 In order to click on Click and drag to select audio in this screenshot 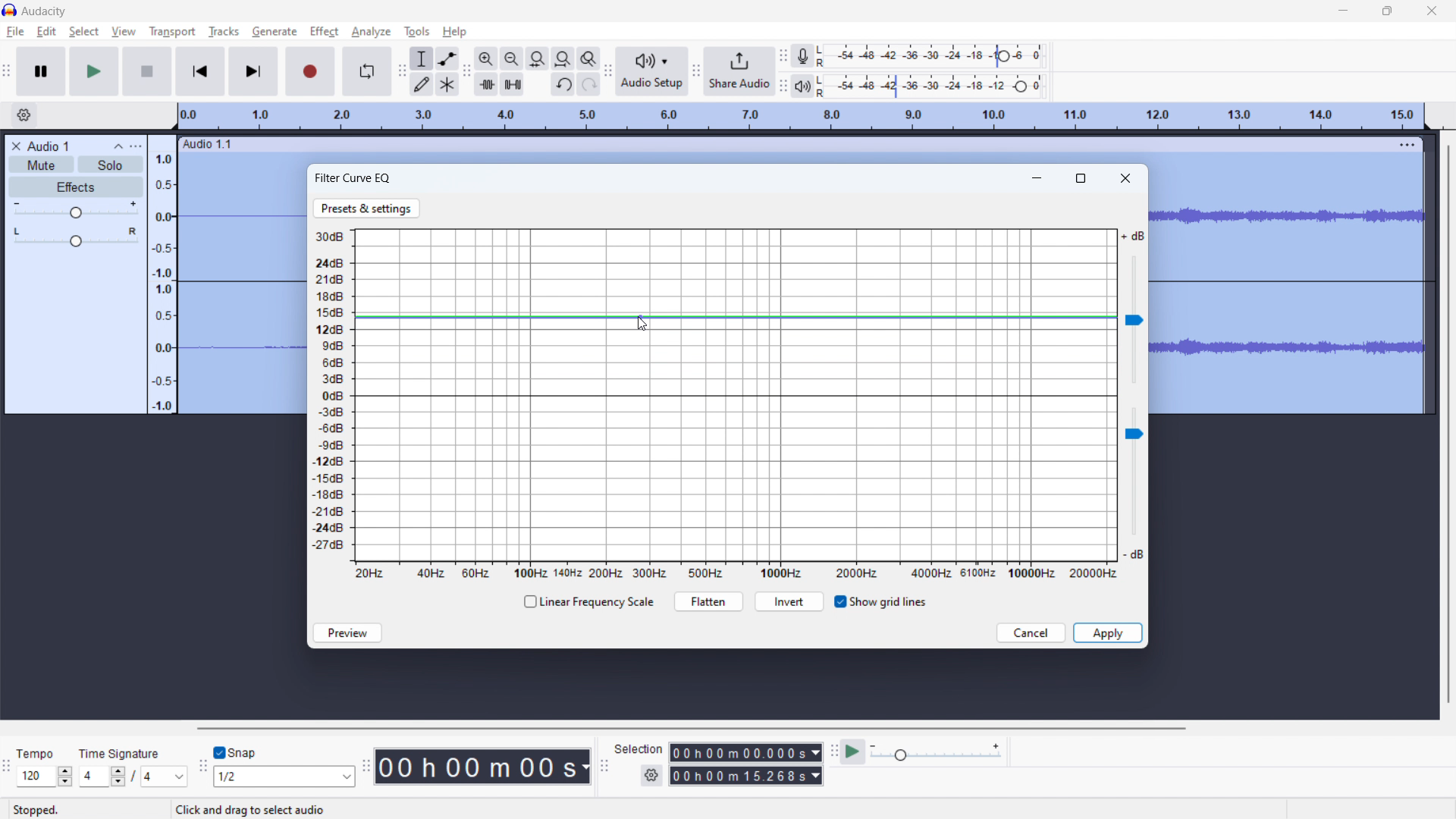, I will do `click(249, 809)`.